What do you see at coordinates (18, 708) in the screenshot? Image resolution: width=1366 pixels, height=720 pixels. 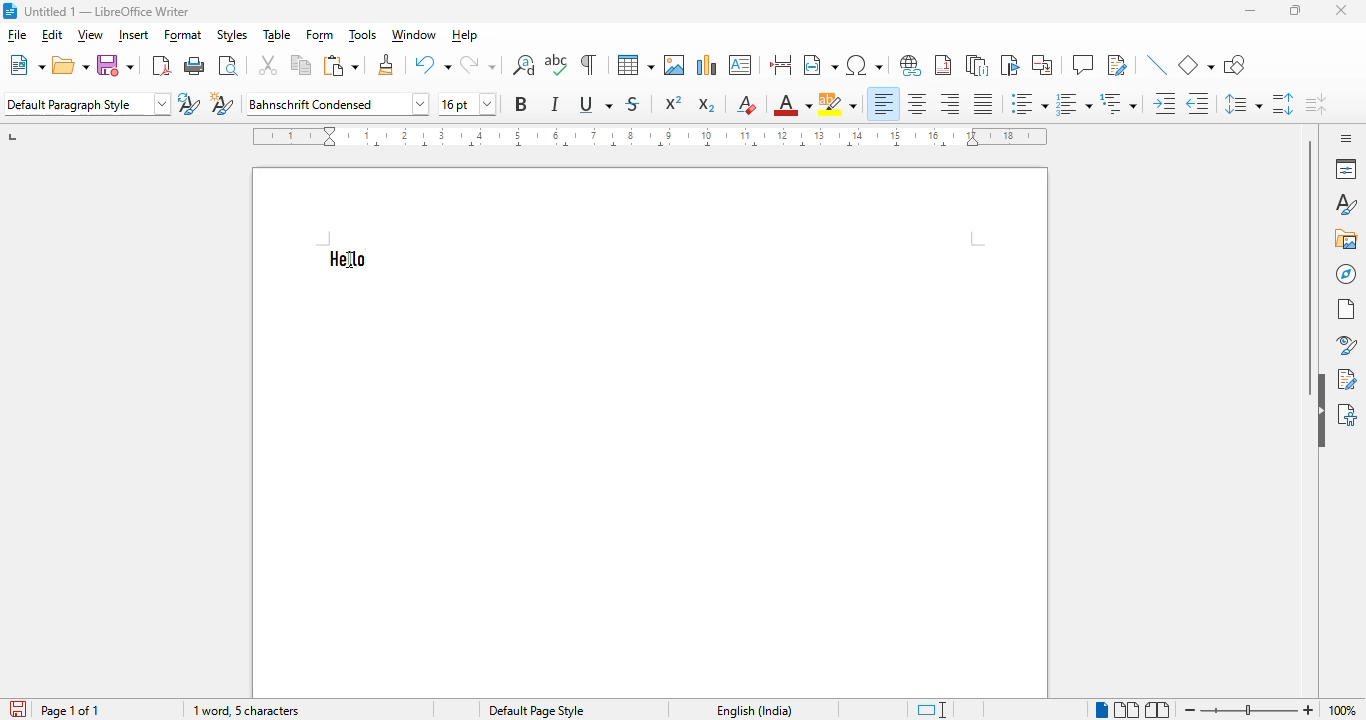 I see `the document has been modified` at bounding box center [18, 708].